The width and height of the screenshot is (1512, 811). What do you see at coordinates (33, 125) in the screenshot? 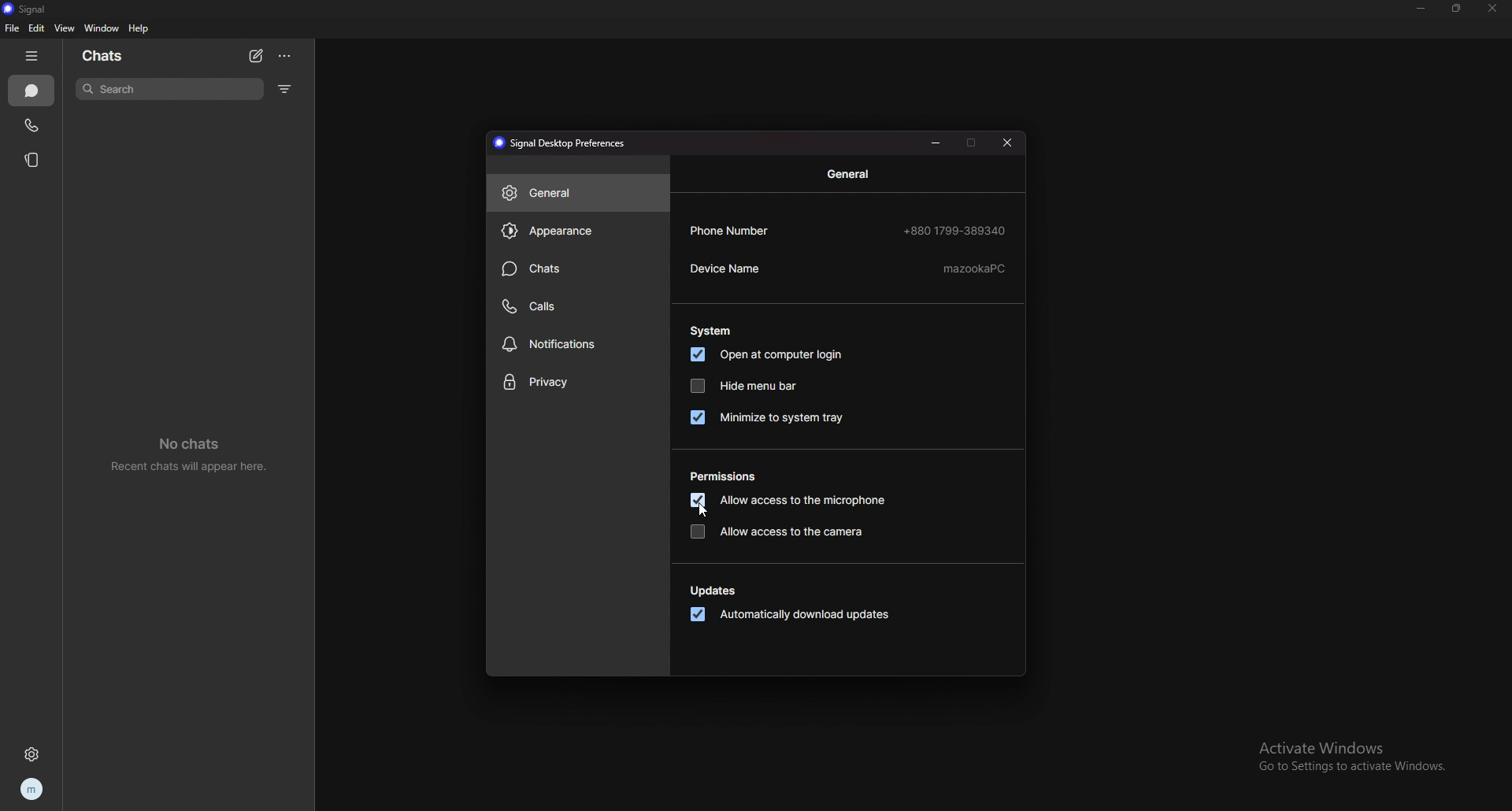
I see `calls` at bounding box center [33, 125].